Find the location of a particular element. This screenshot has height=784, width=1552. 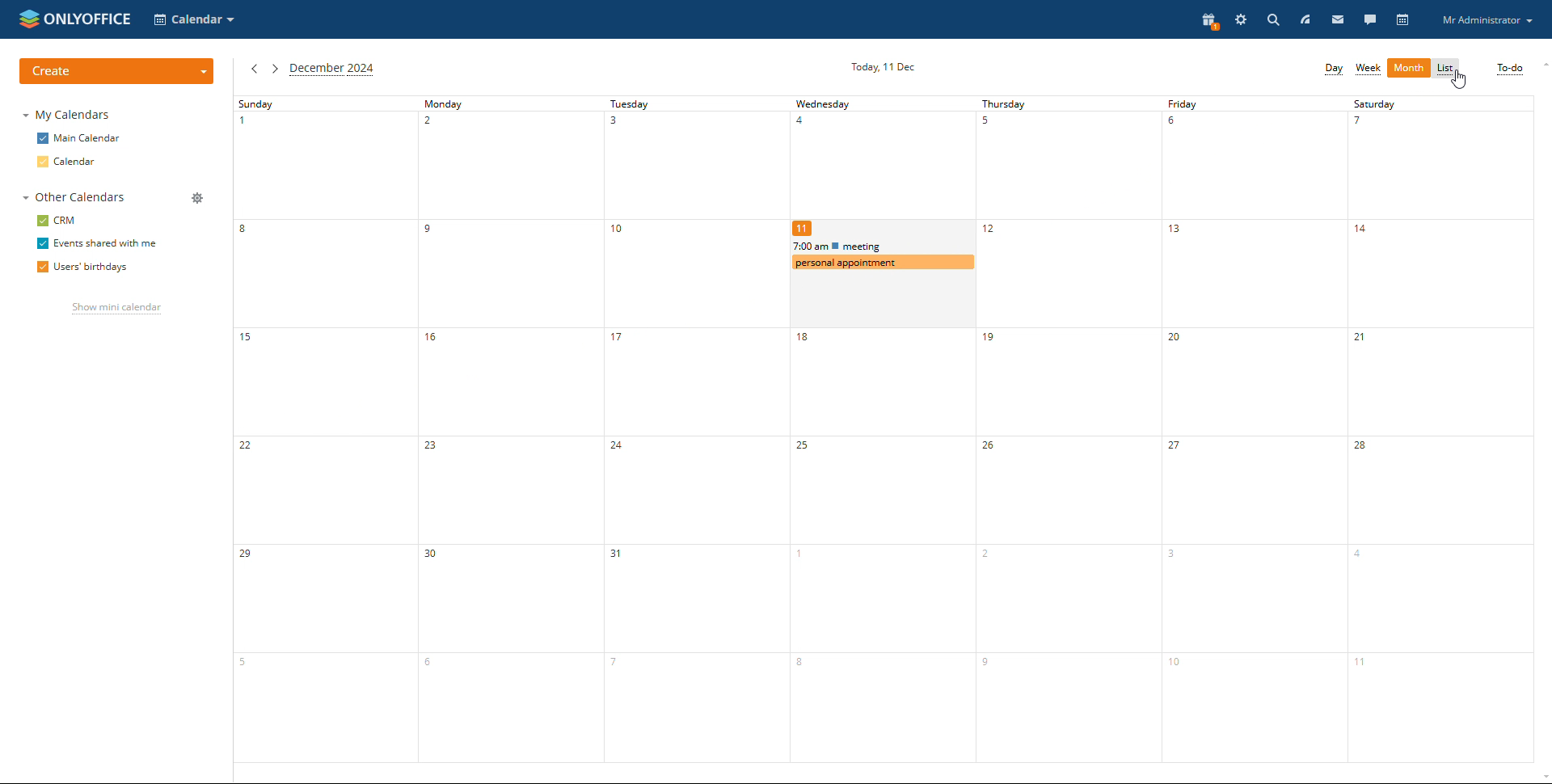

mail is located at coordinates (1339, 19).